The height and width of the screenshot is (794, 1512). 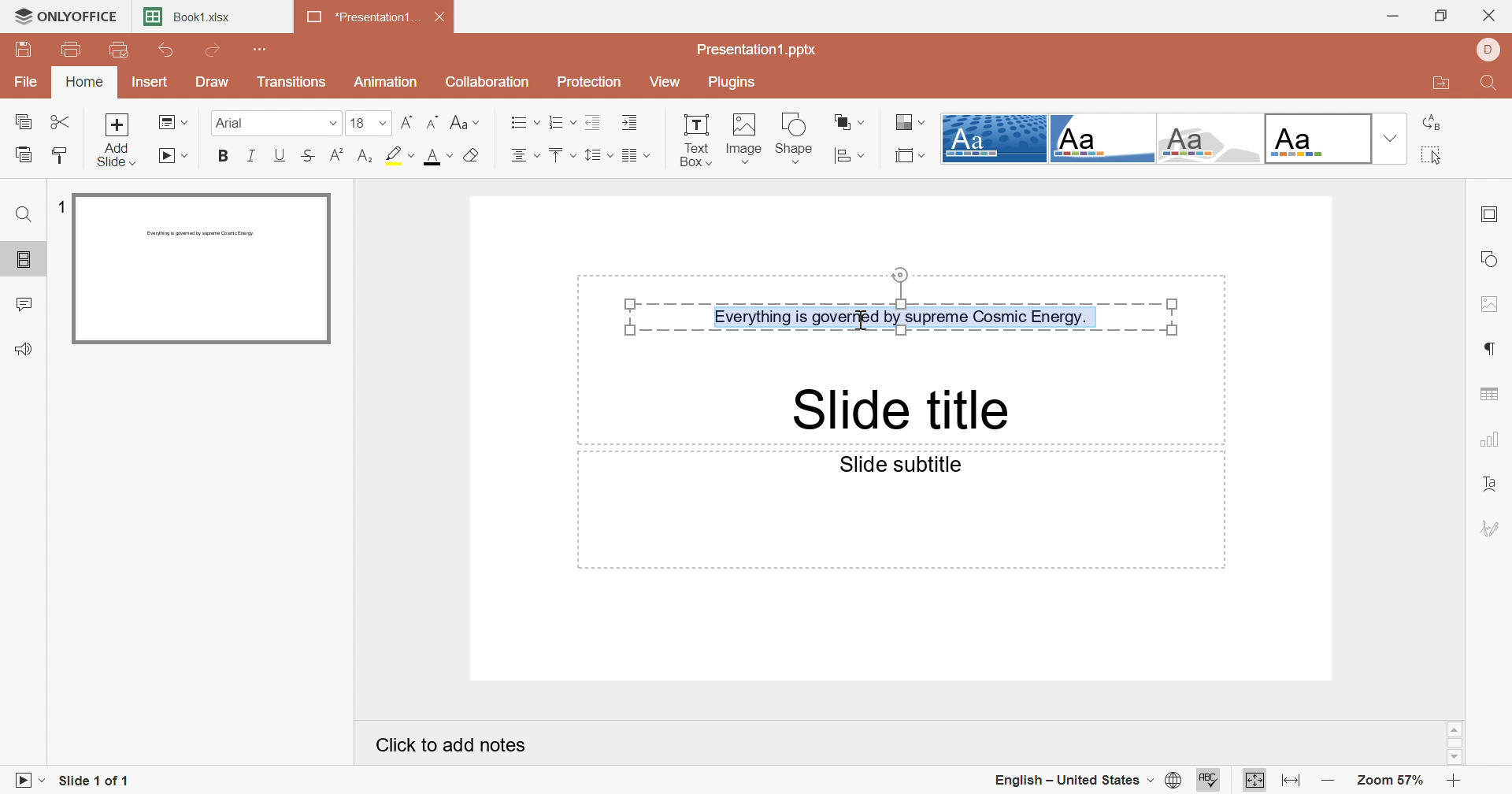 I want to click on Home, so click(x=86, y=82).